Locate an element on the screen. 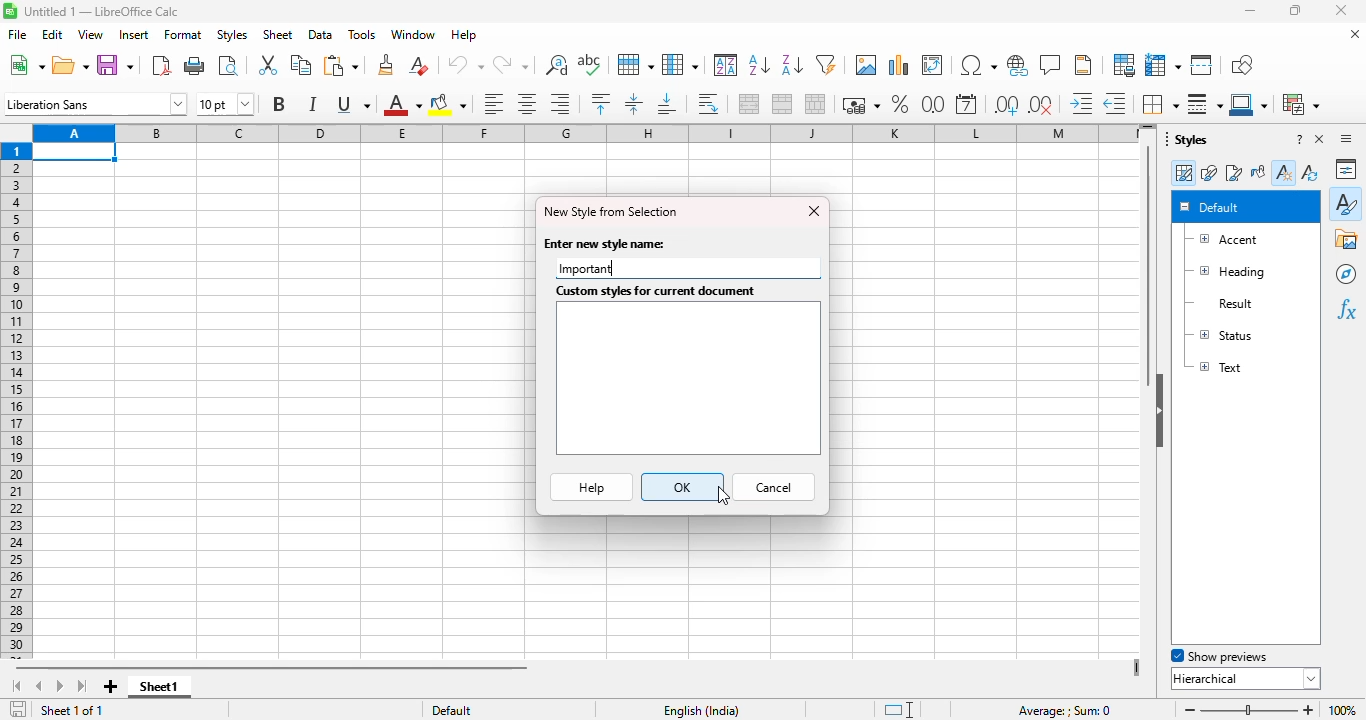 Image resolution: width=1366 pixels, height=720 pixels. autoFilter is located at coordinates (826, 64).